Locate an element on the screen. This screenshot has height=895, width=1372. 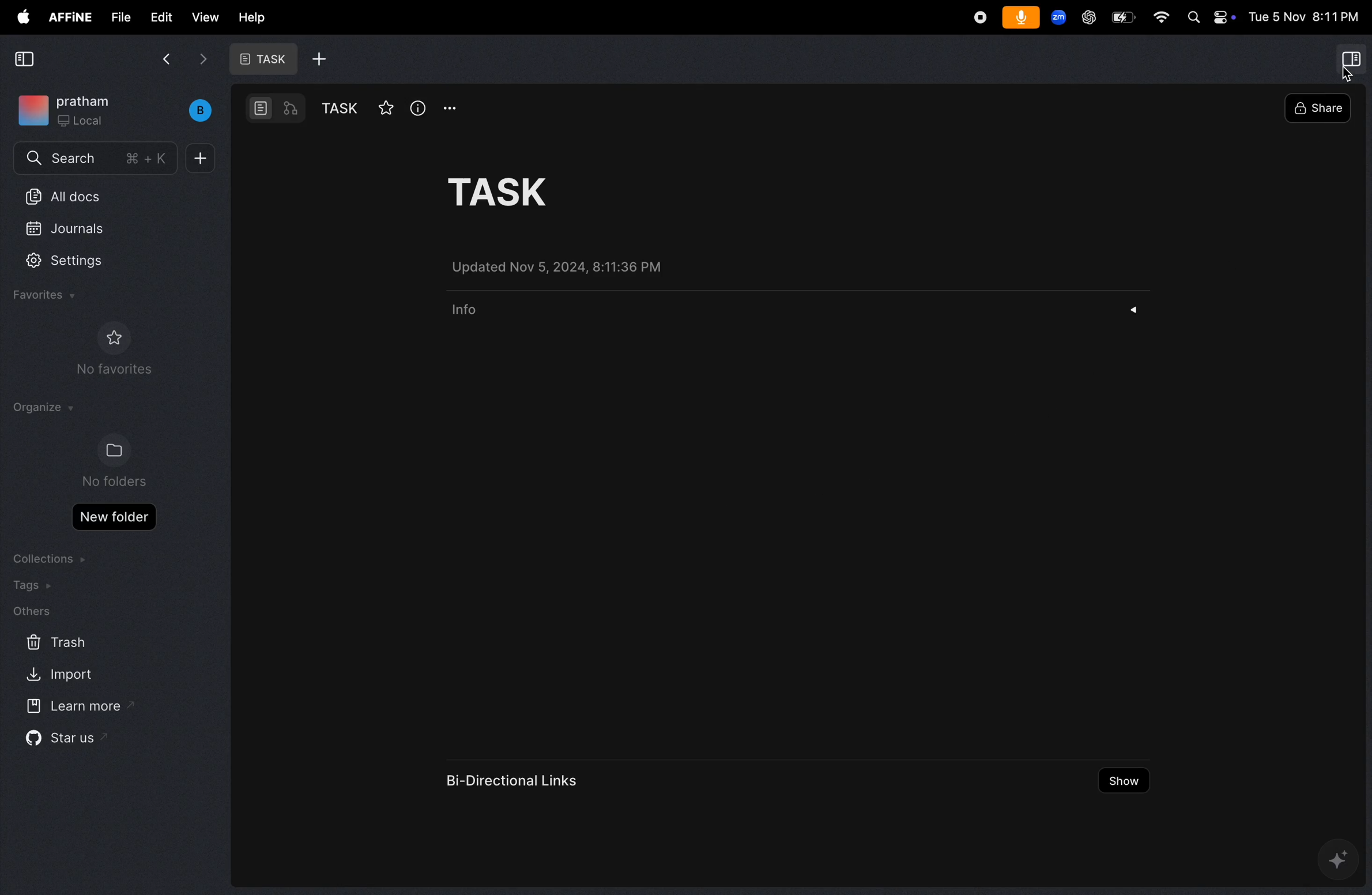
add is located at coordinates (202, 159).